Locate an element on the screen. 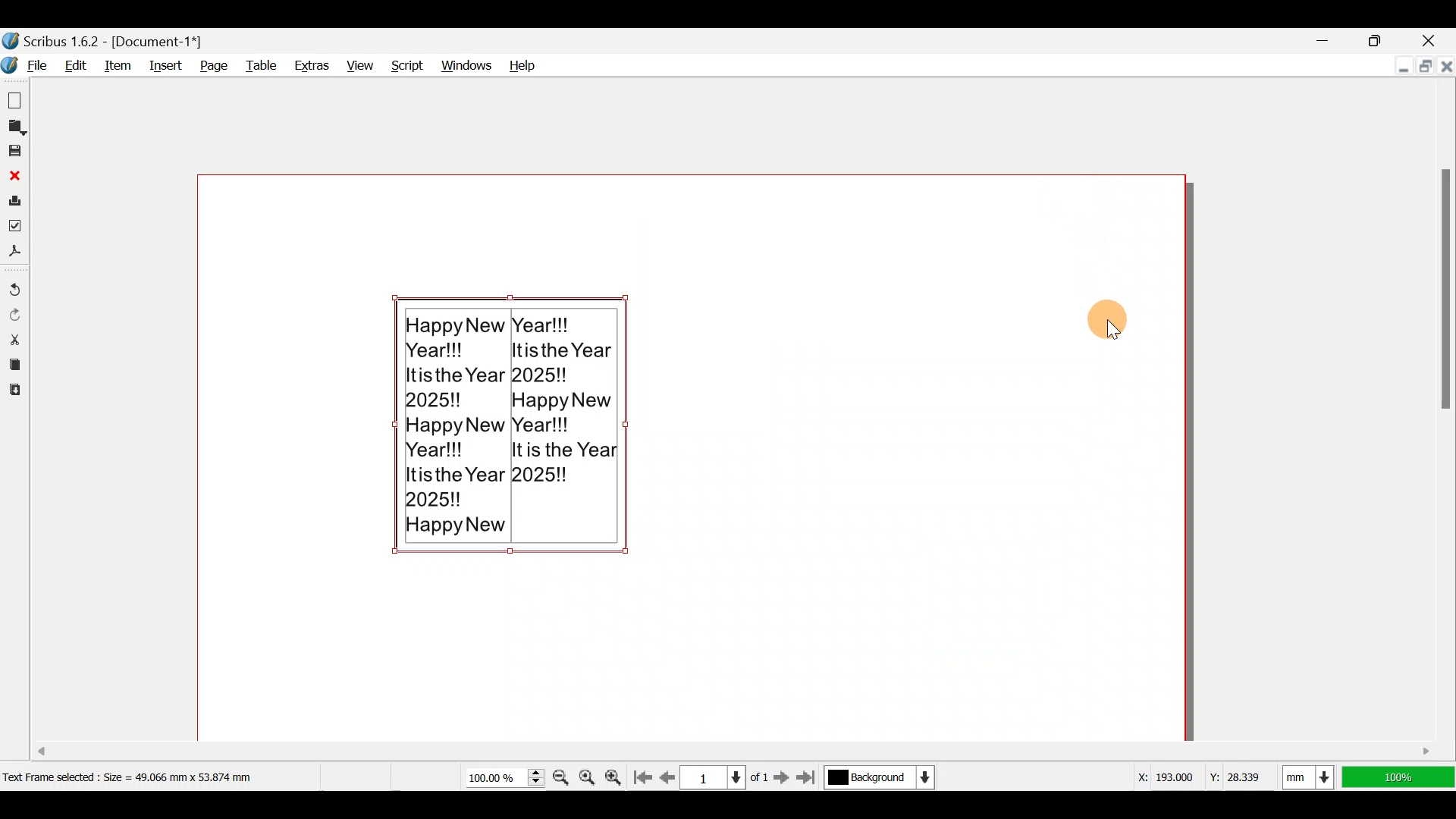 This screenshot has width=1456, height=819. Print is located at coordinates (15, 200).